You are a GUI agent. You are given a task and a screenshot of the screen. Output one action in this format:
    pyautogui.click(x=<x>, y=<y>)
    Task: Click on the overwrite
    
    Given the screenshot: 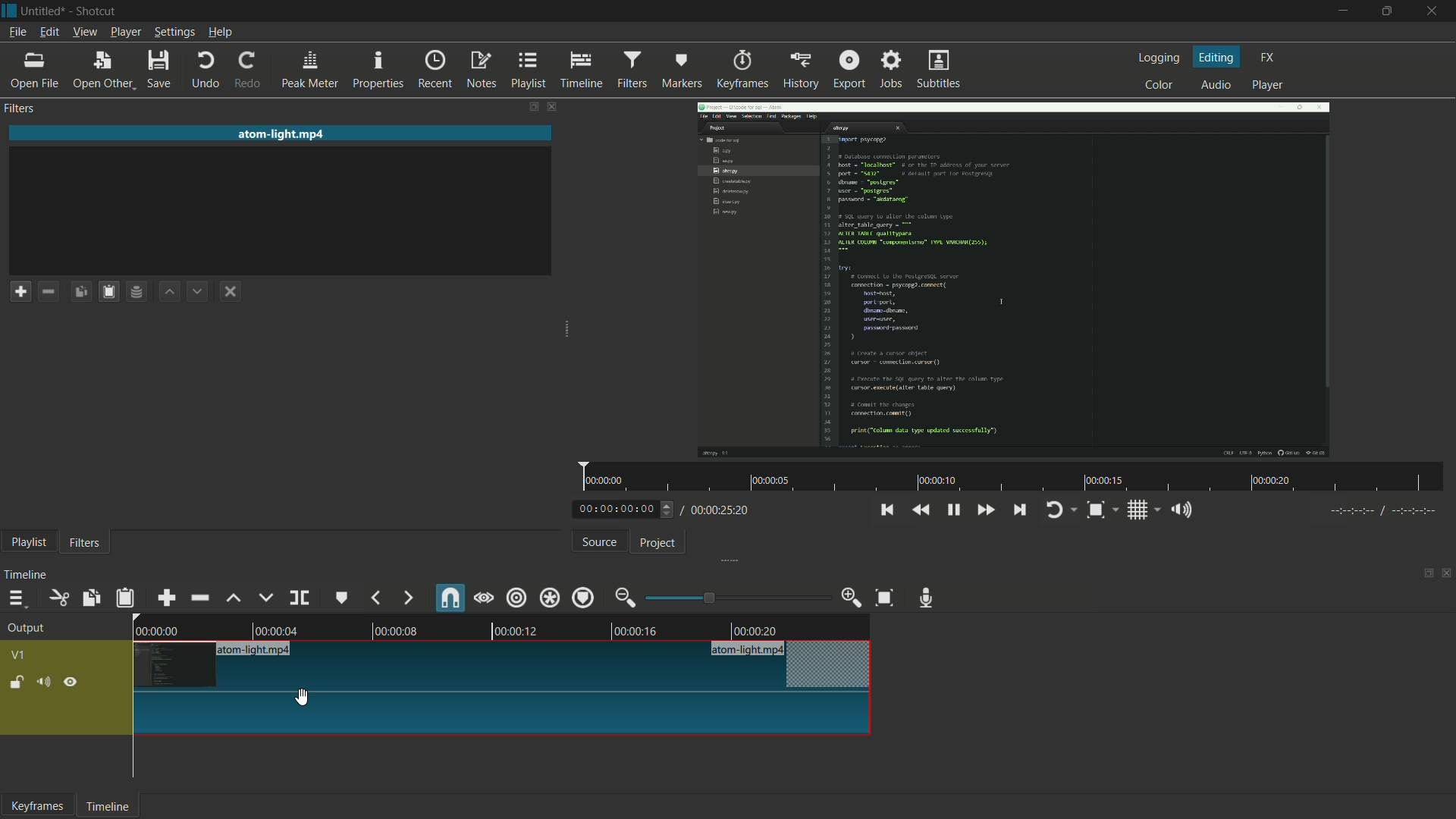 What is the action you would take?
    pyautogui.click(x=266, y=596)
    